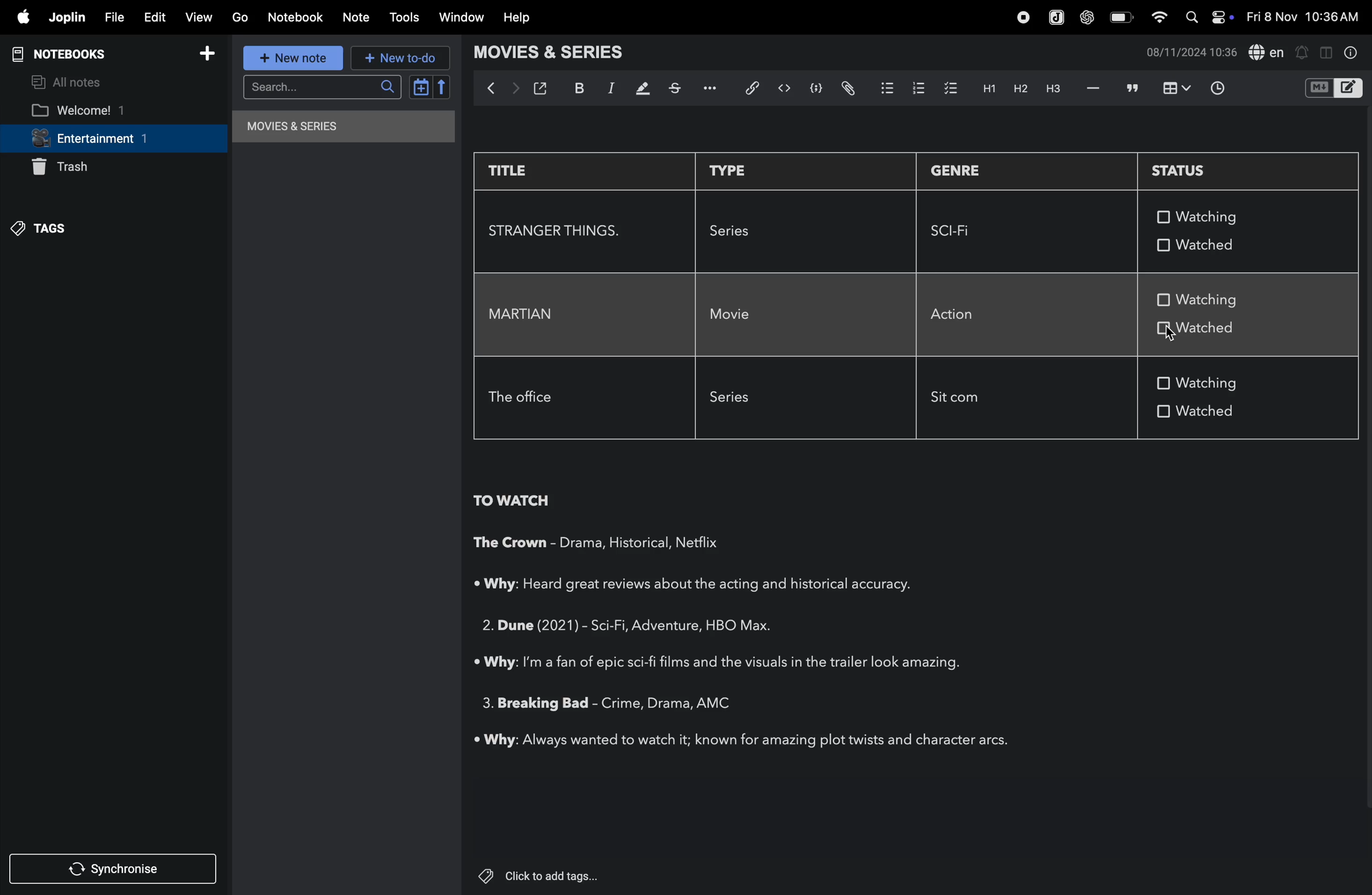 The height and width of the screenshot is (895, 1372). Describe the element at coordinates (290, 57) in the screenshot. I see `new note` at that location.